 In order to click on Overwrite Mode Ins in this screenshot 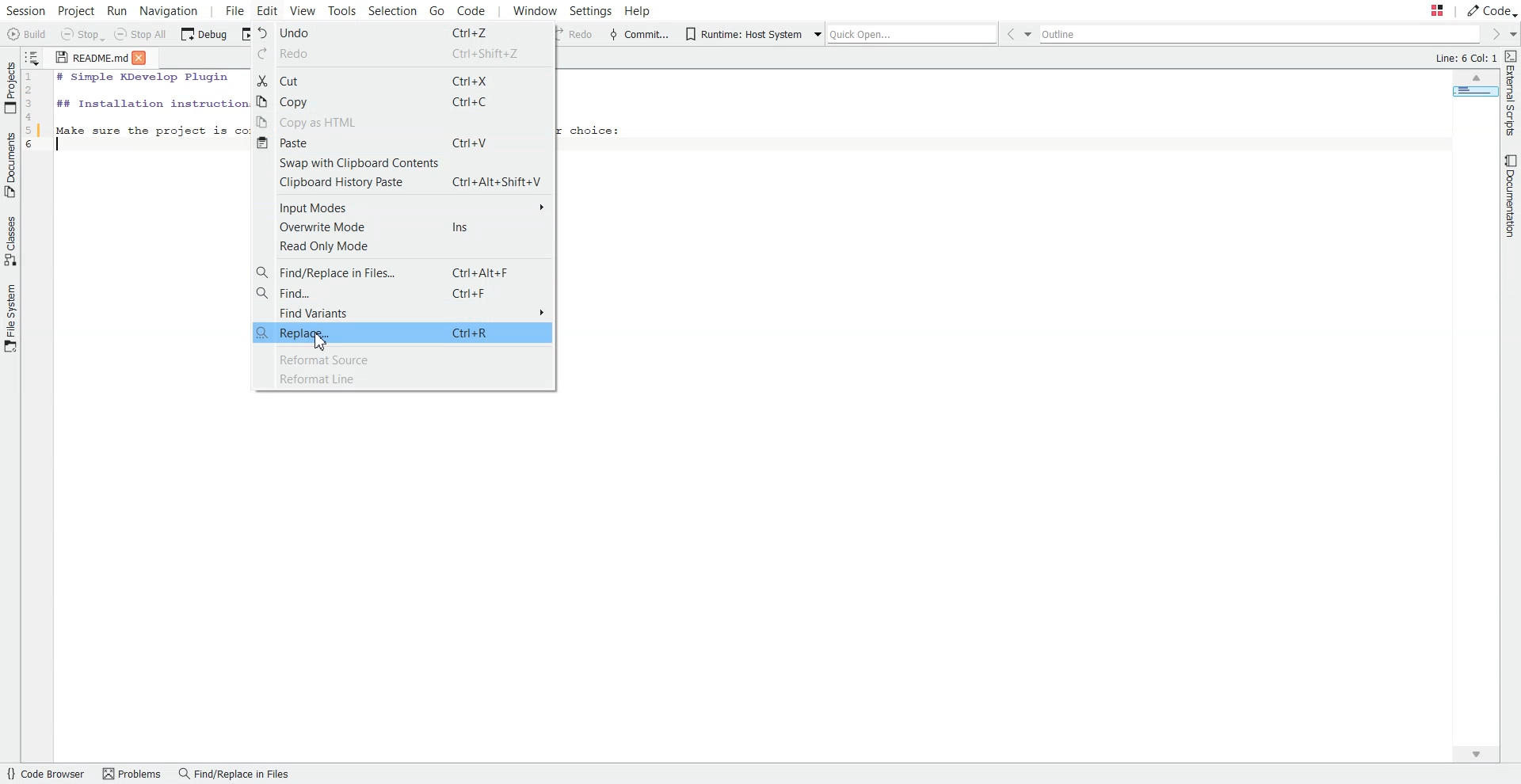, I will do `click(403, 227)`.